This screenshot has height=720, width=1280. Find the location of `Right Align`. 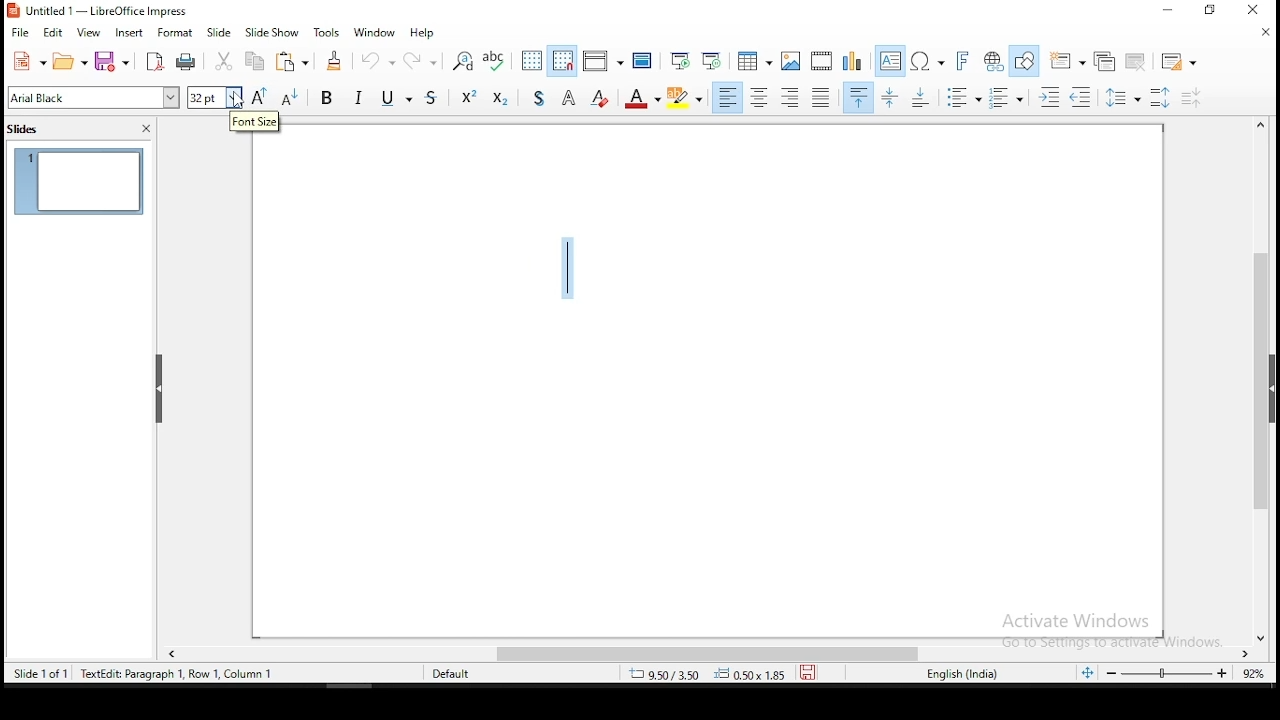

Right Align is located at coordinates (791, 97).